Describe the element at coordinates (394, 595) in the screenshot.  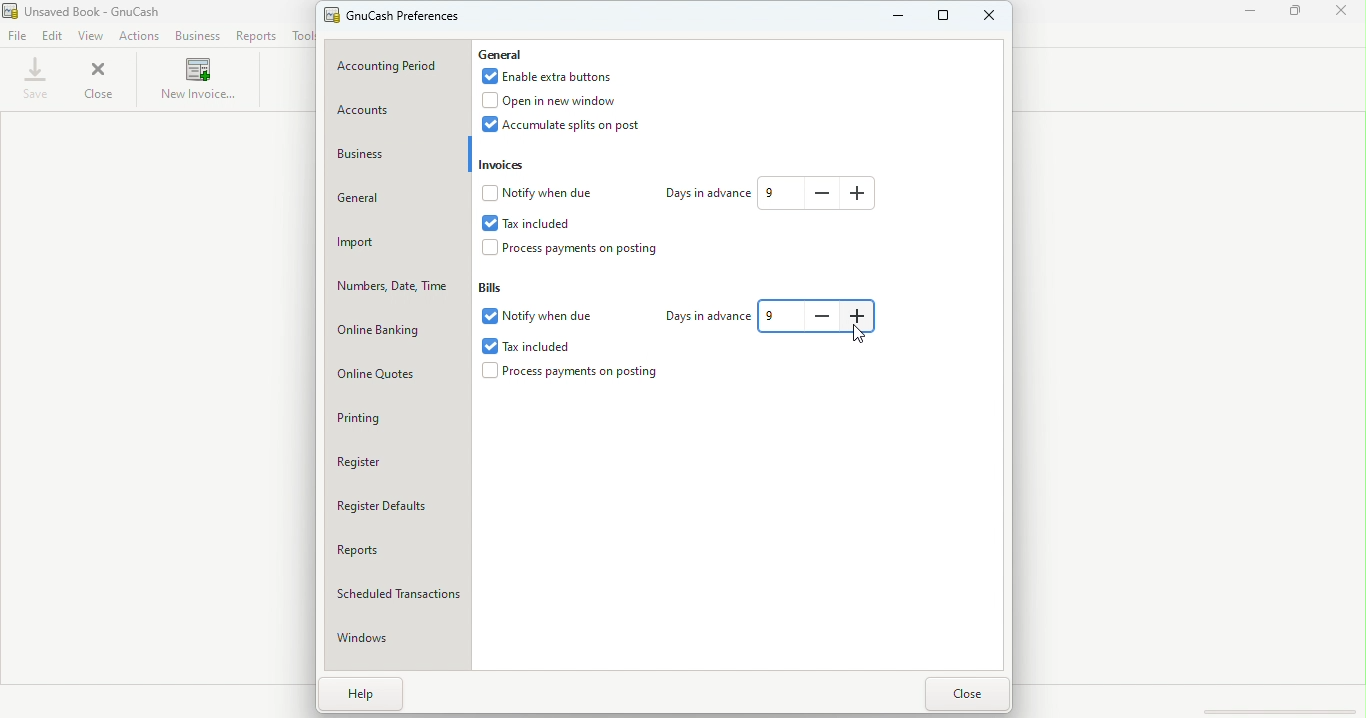
I see `Scheduled transactions` at that location.